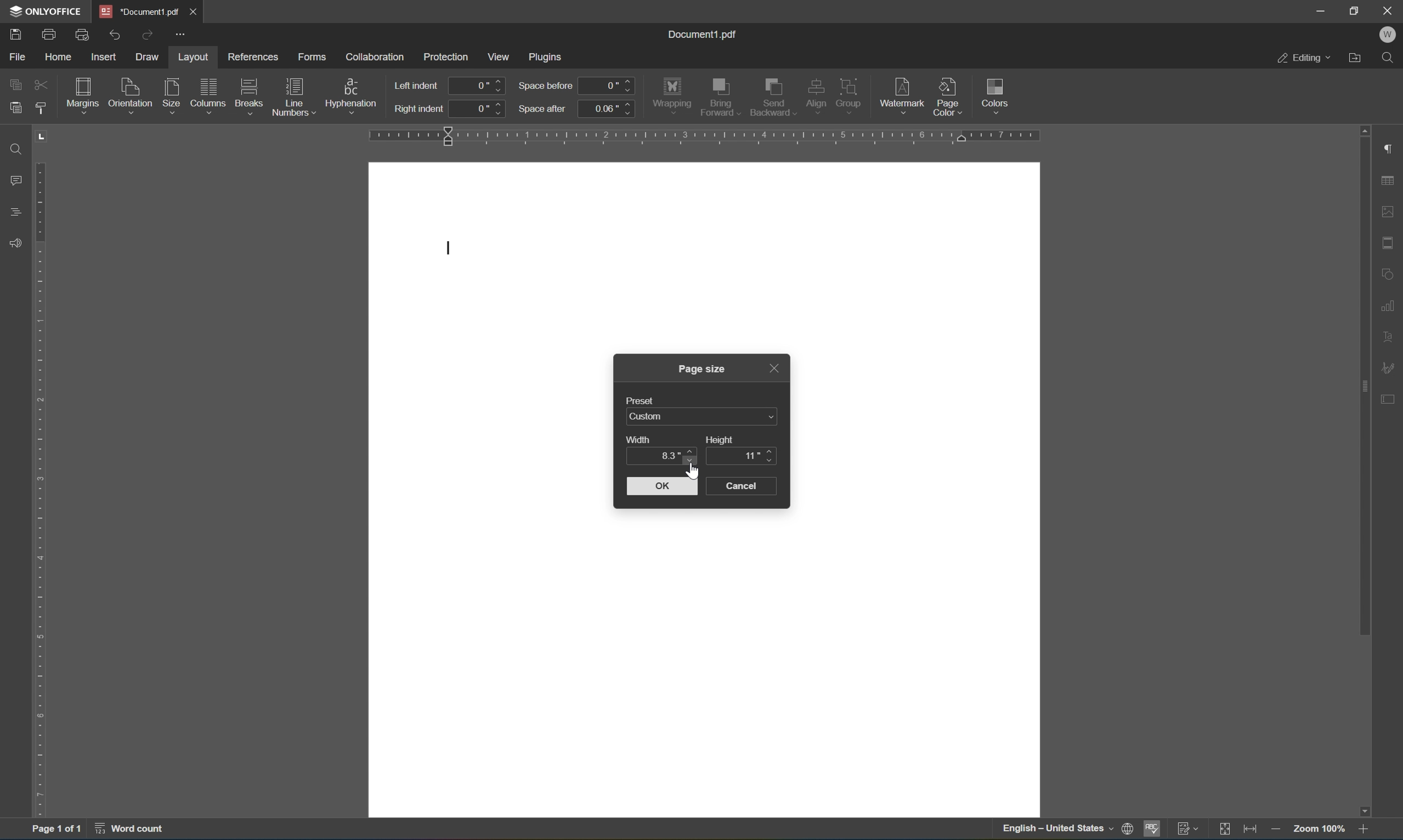  Describe the element at coordinates (748, 487) in the screenshot. I see `cancel` at that location.